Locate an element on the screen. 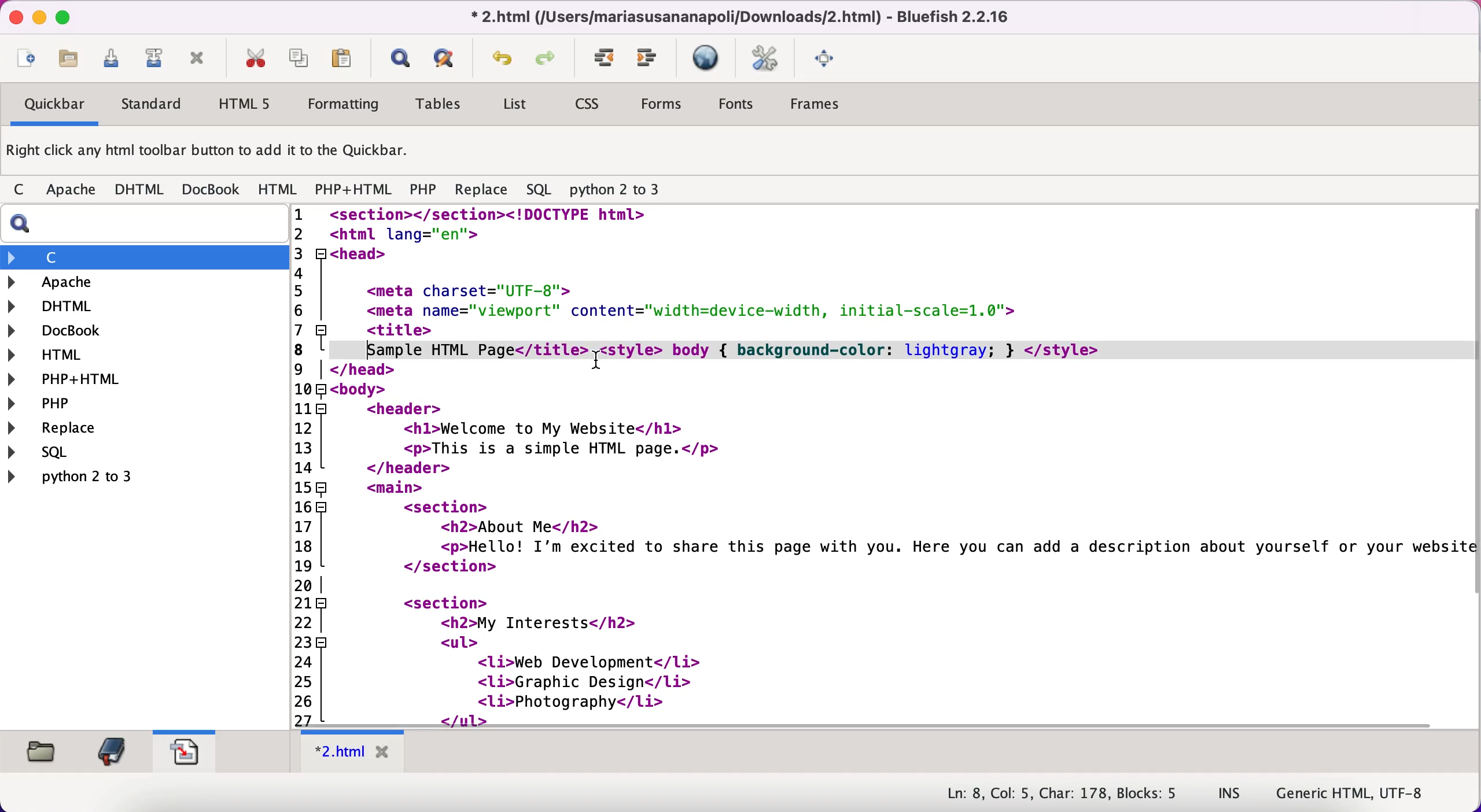  php is located at coordinates (423, 191).